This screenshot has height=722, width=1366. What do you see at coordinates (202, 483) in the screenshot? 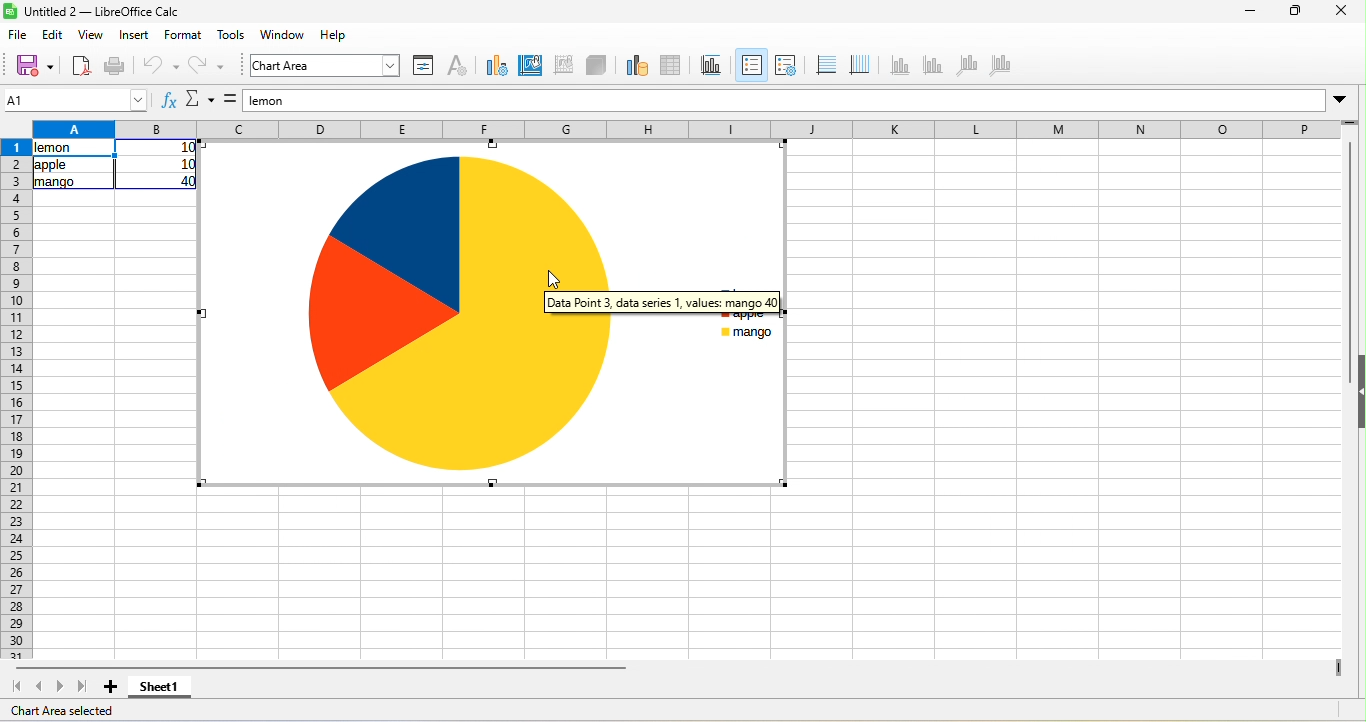
I see `resize points` at bounding box center [202, 483].